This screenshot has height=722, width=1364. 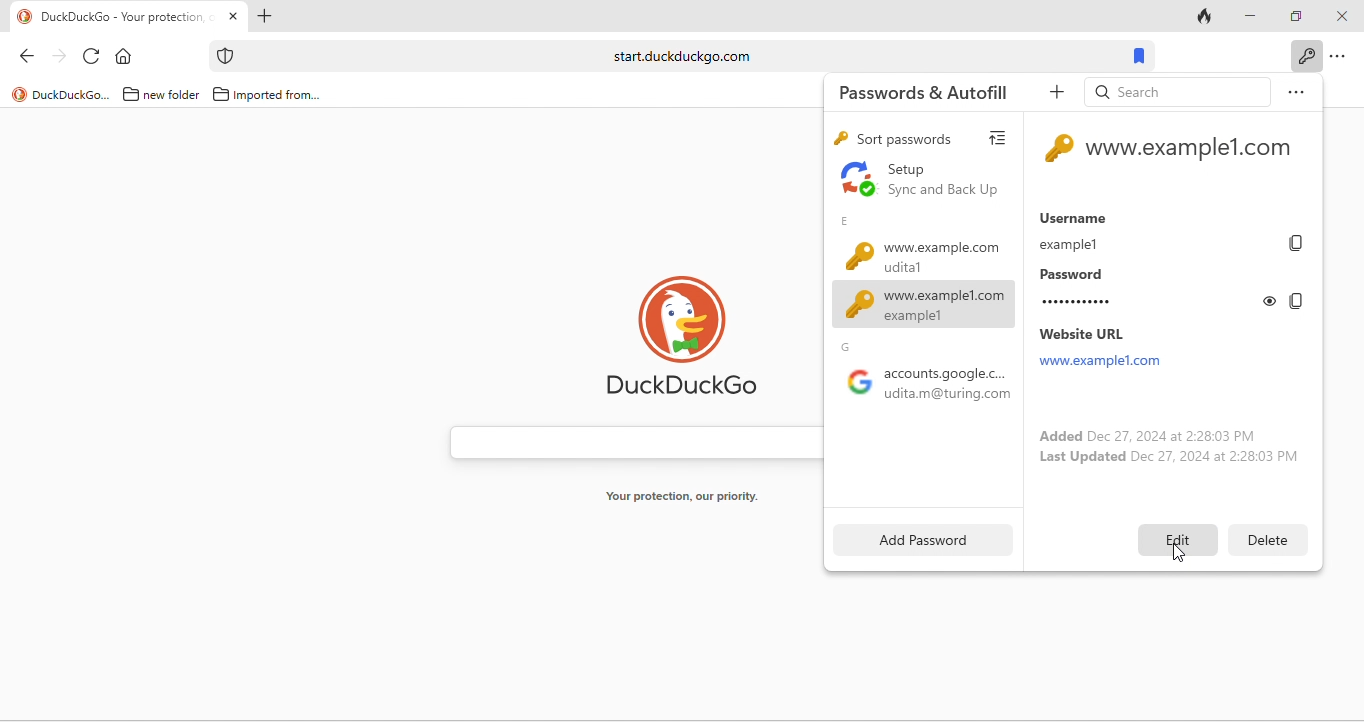 What do you see at coordinates (1295, 243) in the screenshot?
I see `copy` at bounding box center [1295, 243].